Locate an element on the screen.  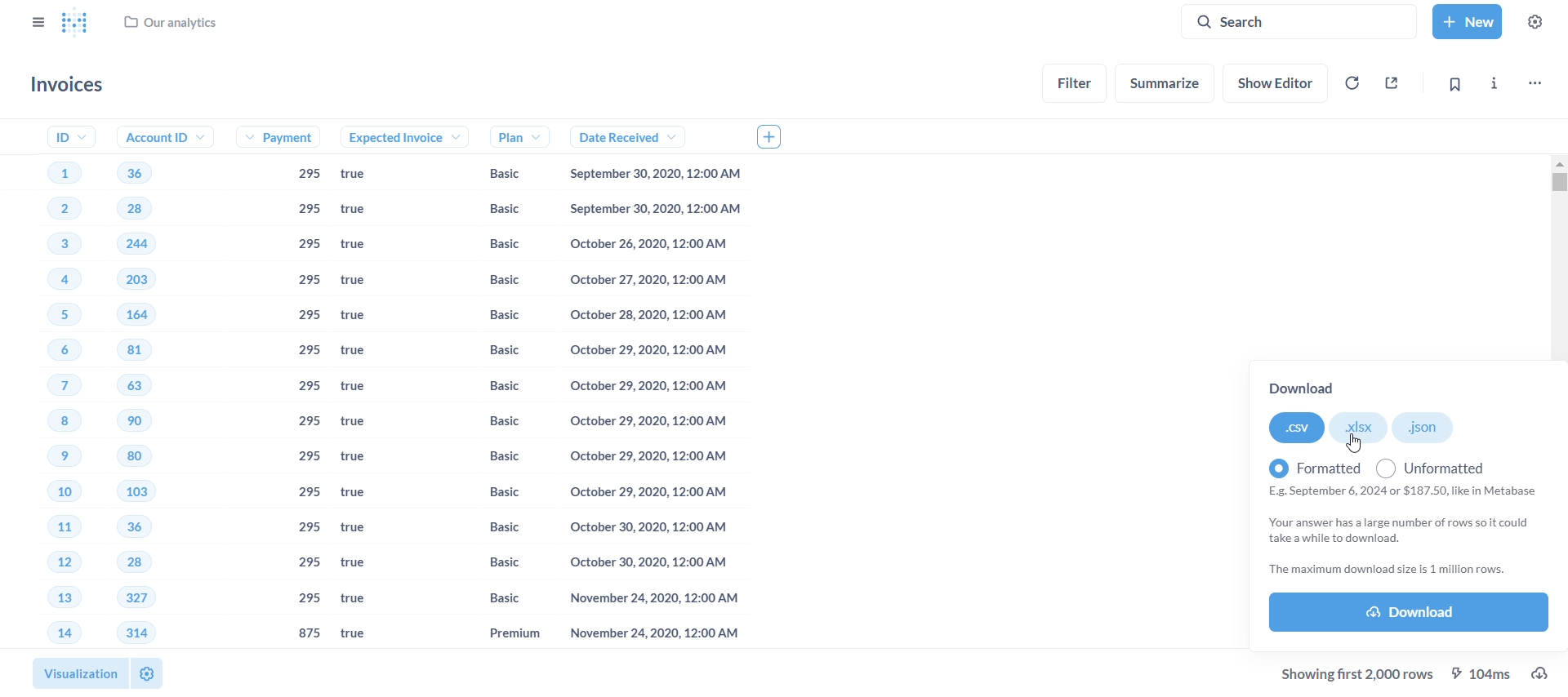
104MS is located at coordinates (1486, 673).